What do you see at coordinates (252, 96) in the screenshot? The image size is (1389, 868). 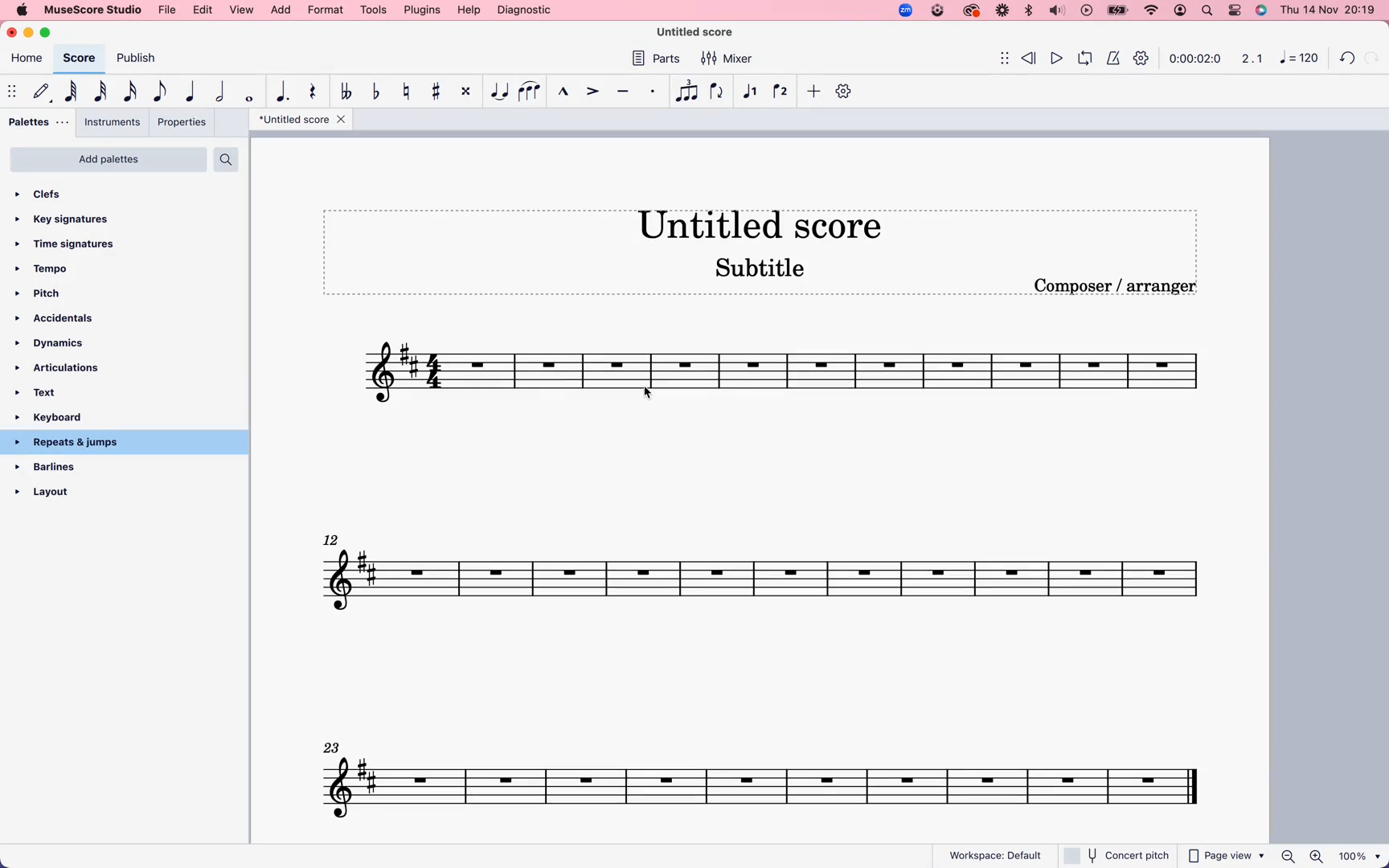 I see `whole note` at bounding box center [252, 96].